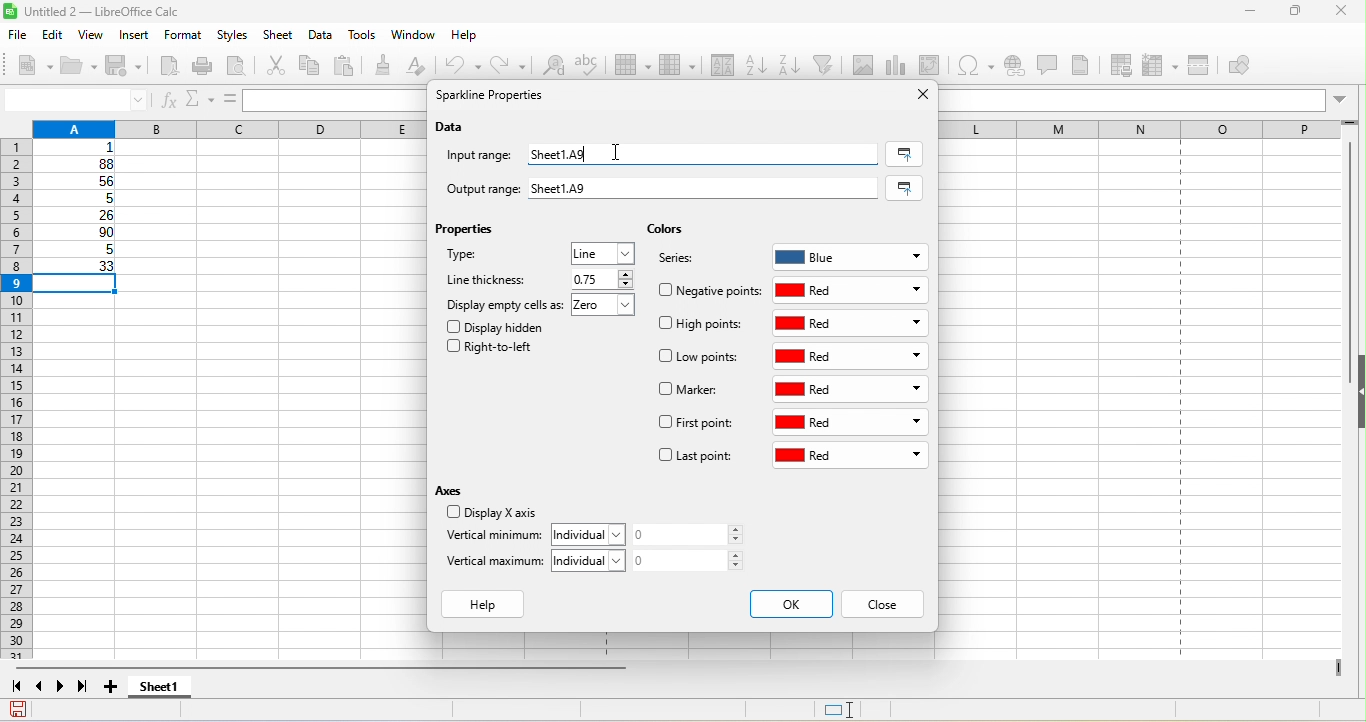 The image size is (1366, 722). What do you see at coordinates (594, 560) in the screenshot?
I see `individual` at bounding box center [594, 560].